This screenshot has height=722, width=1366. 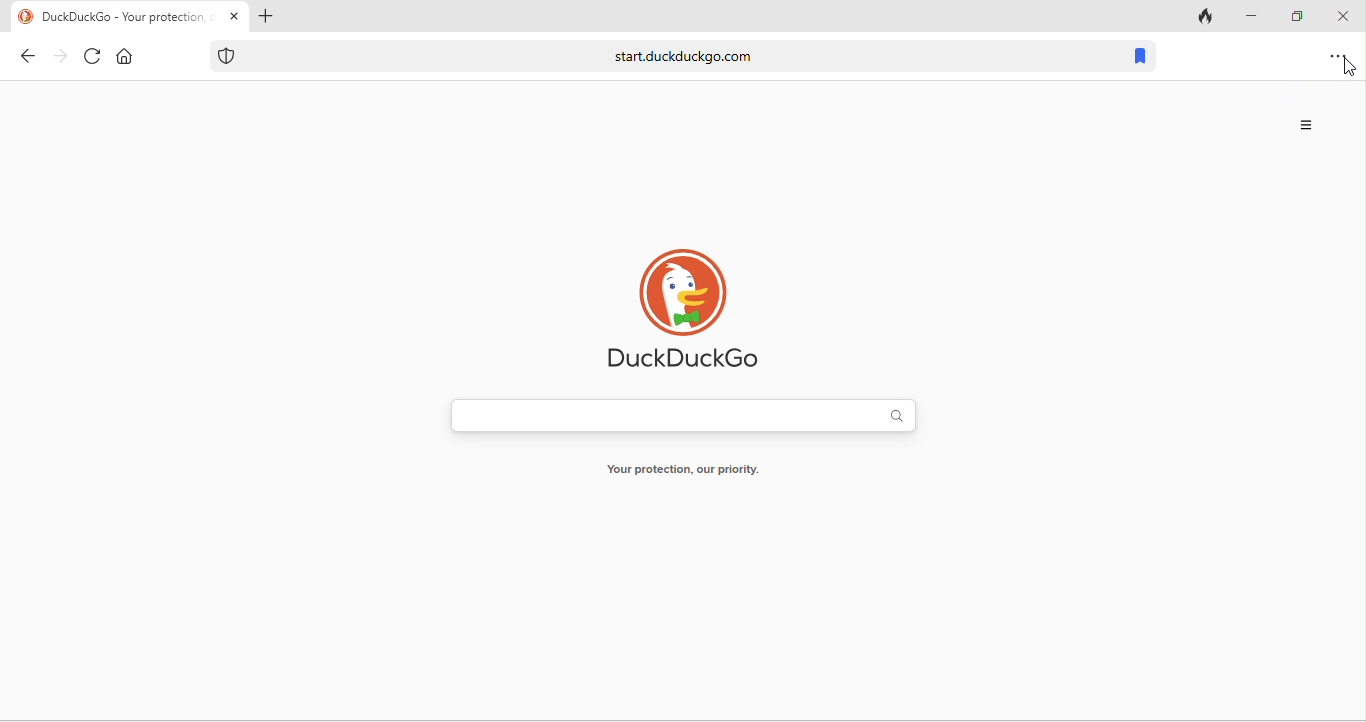 What do you see at coordinates (23, 59) in the screenshot?
I see `back` at bounding box center [23, 59].